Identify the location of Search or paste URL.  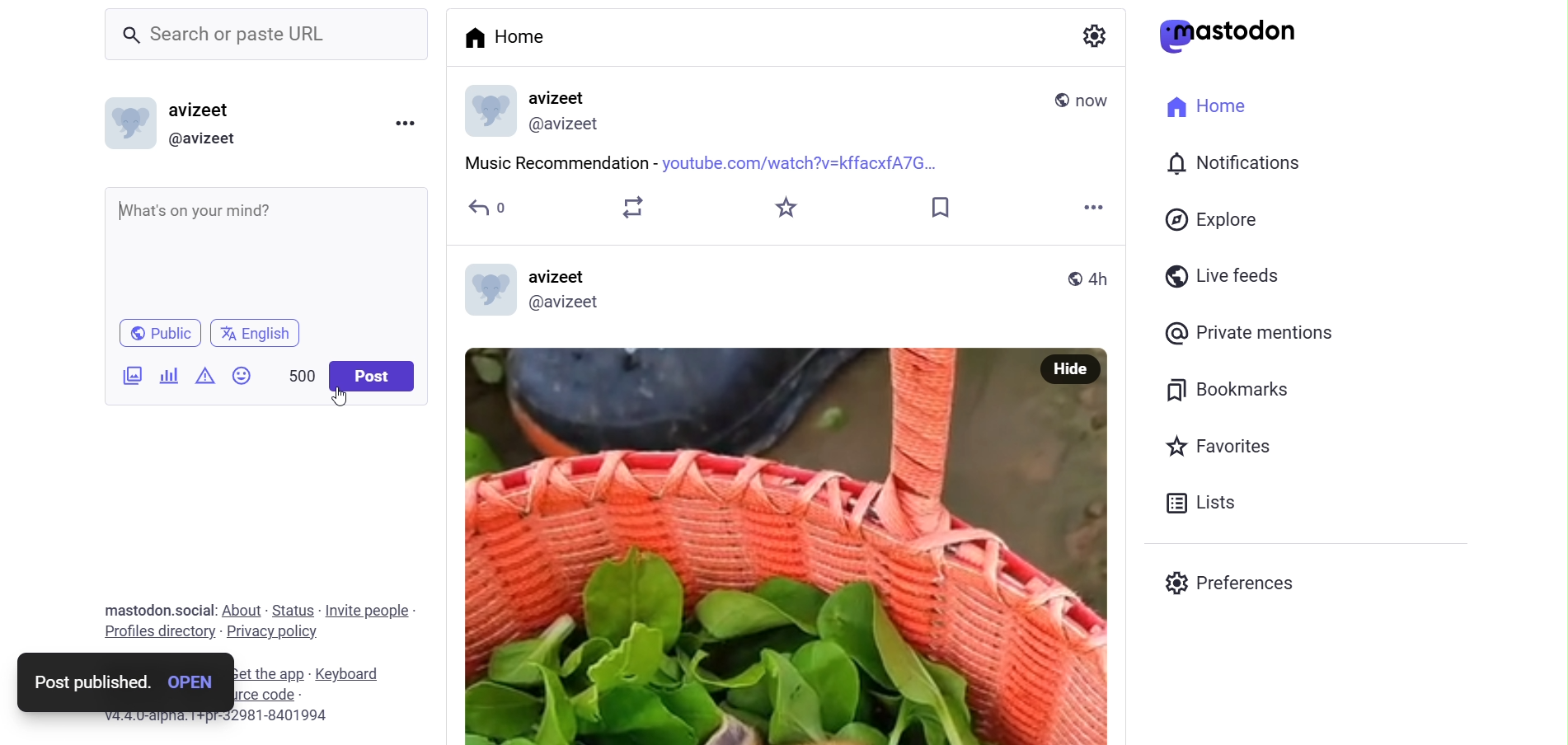
(265, 36).